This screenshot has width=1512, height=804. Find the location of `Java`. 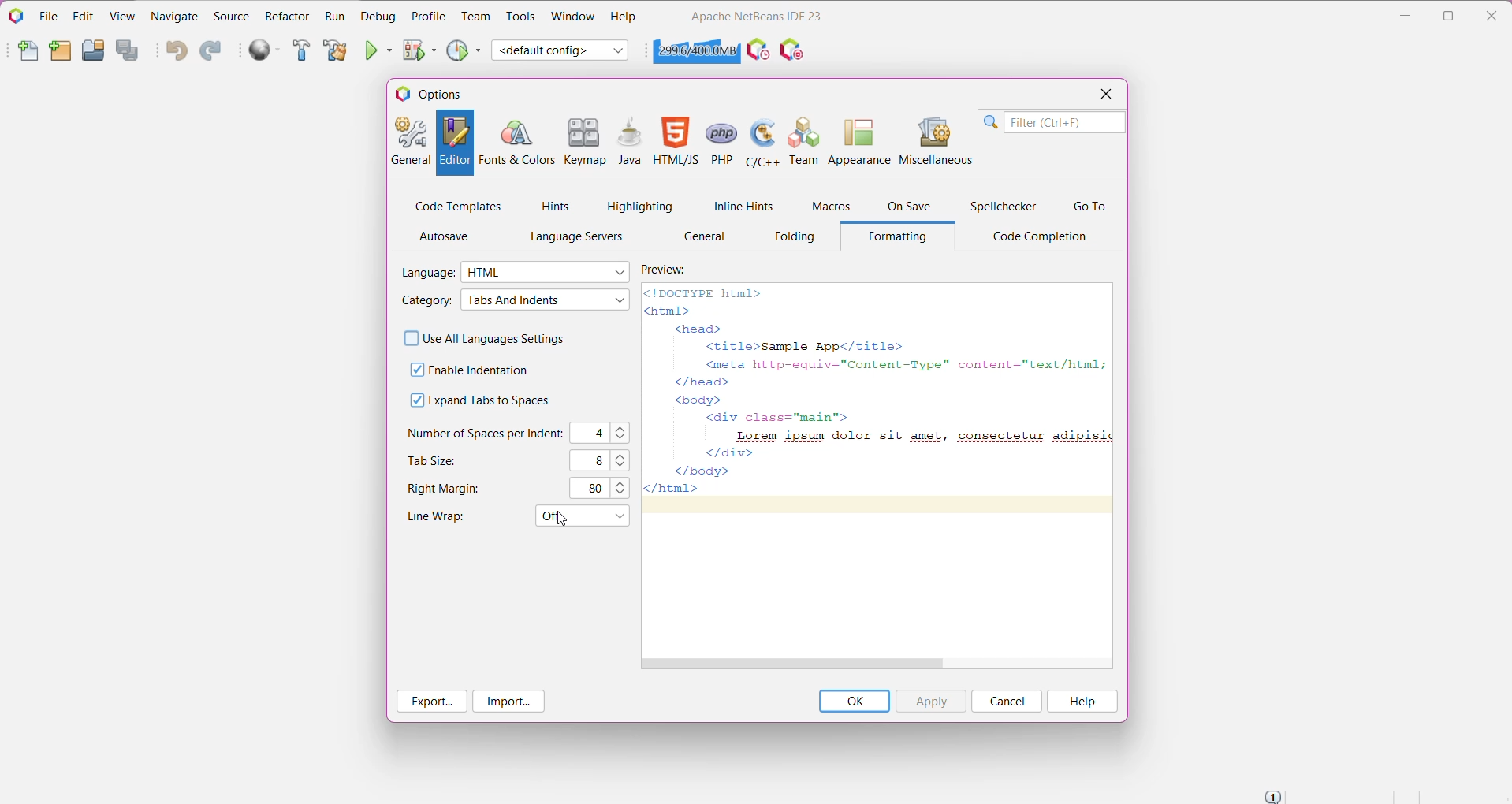

Java is located at coordinates (630, 143).